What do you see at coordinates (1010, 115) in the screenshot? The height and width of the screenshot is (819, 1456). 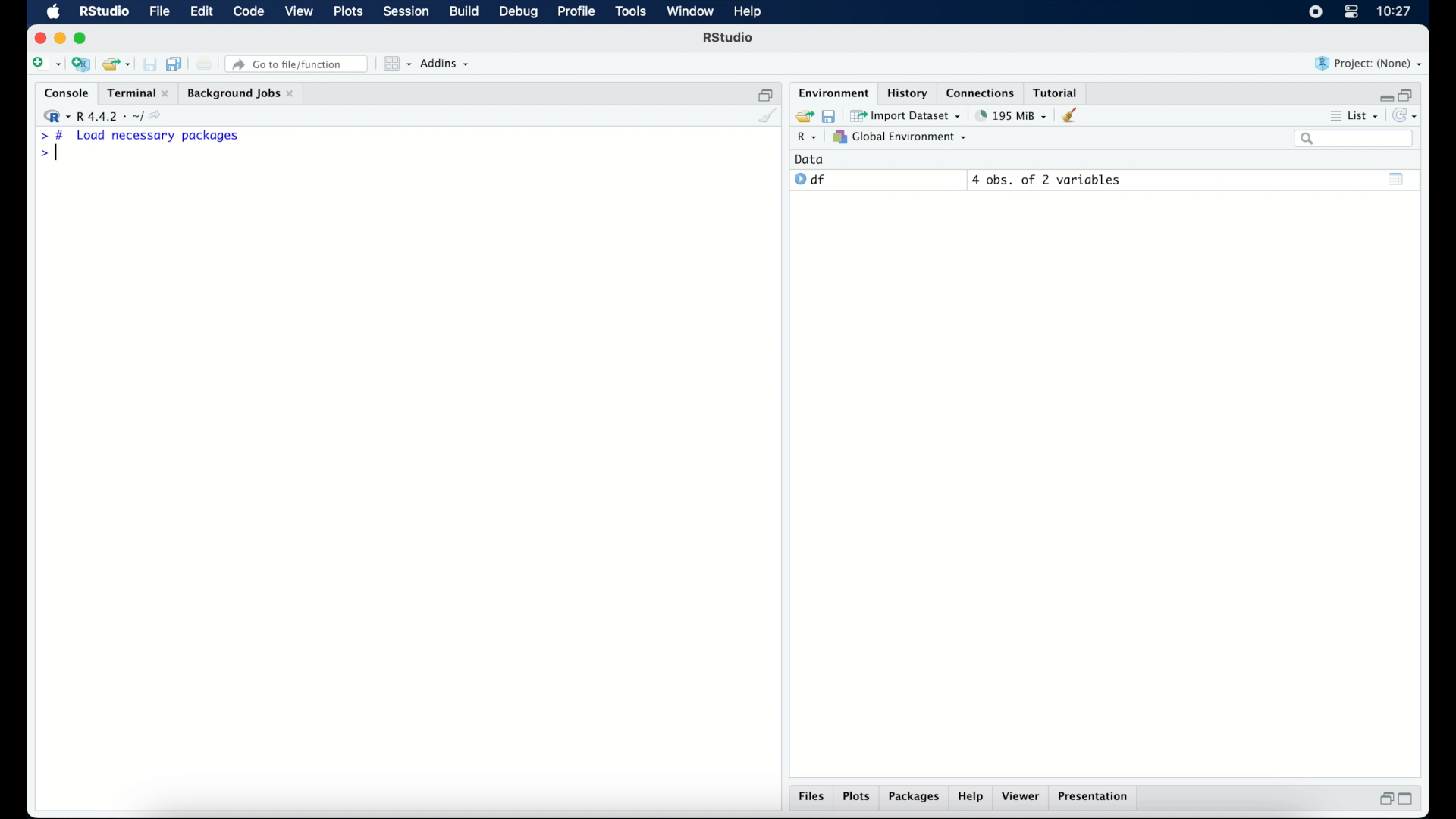 I see `195 MB` at bounding box center [1010, 115].